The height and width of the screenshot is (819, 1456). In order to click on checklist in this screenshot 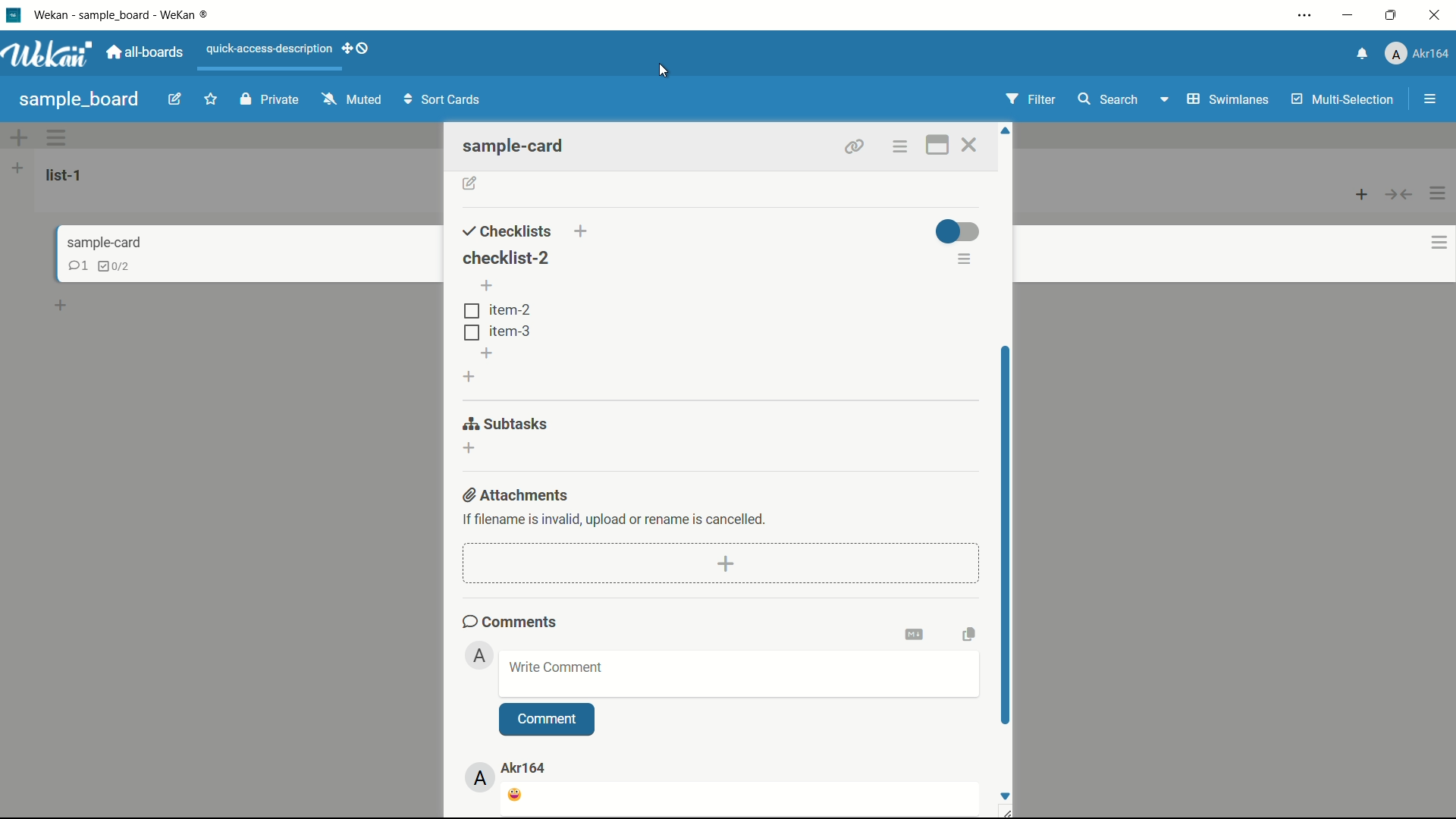, I will do `click(74, 265)`.